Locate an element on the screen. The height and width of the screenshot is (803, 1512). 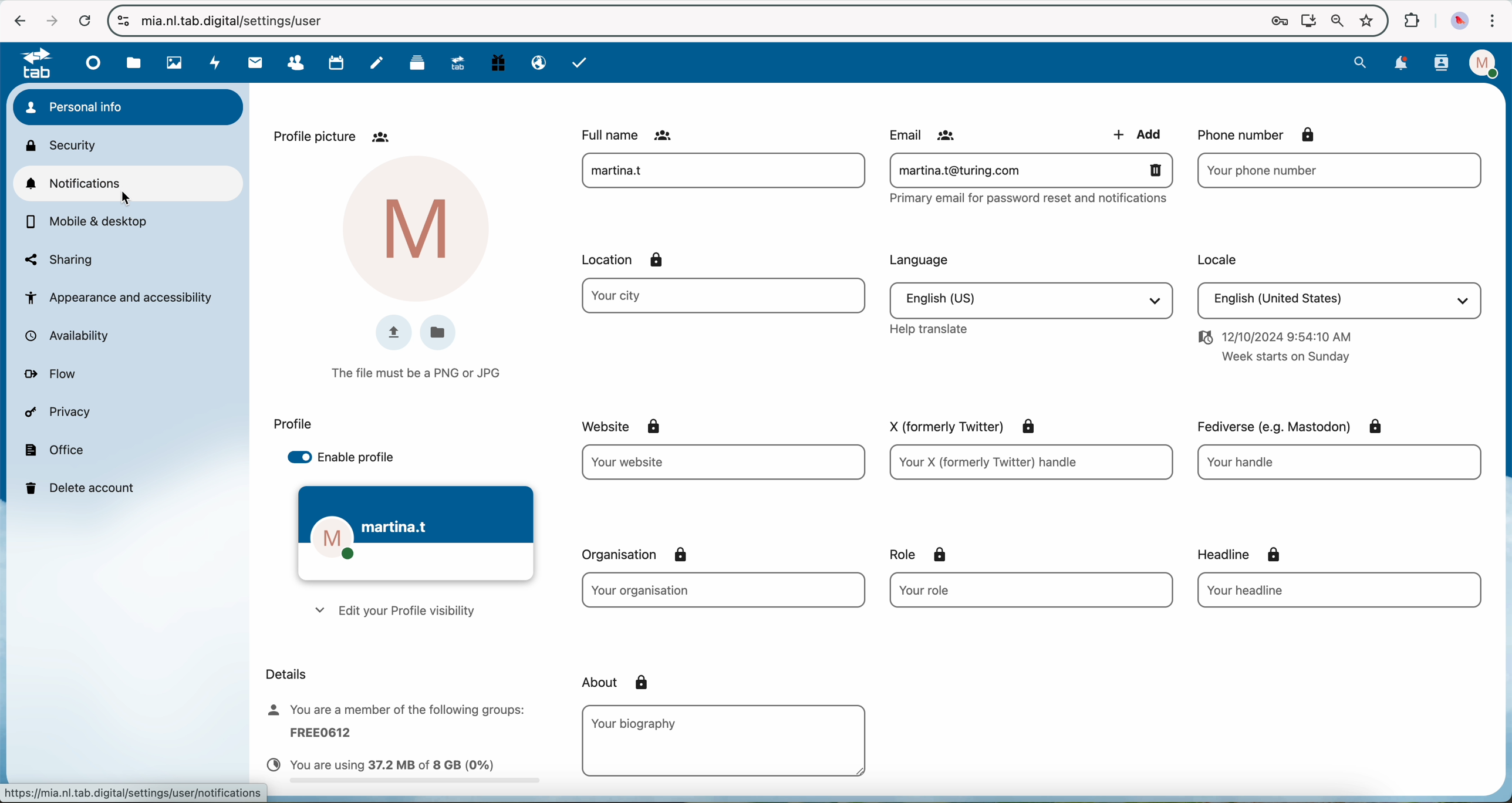
edit your profile visibility is located at coordinates (400, 612).